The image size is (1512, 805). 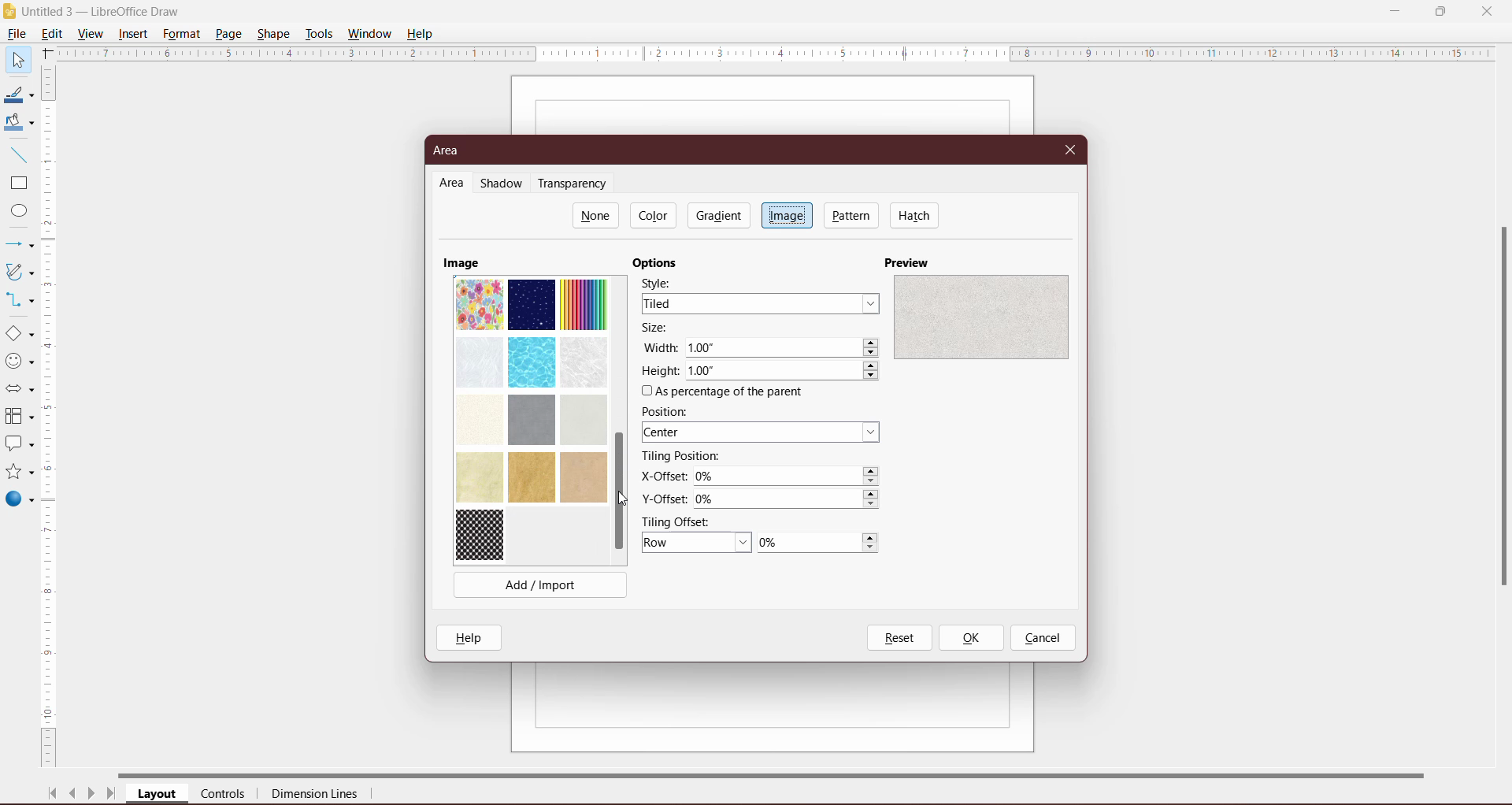 I want to click on Width, so click(x=660, y=347).